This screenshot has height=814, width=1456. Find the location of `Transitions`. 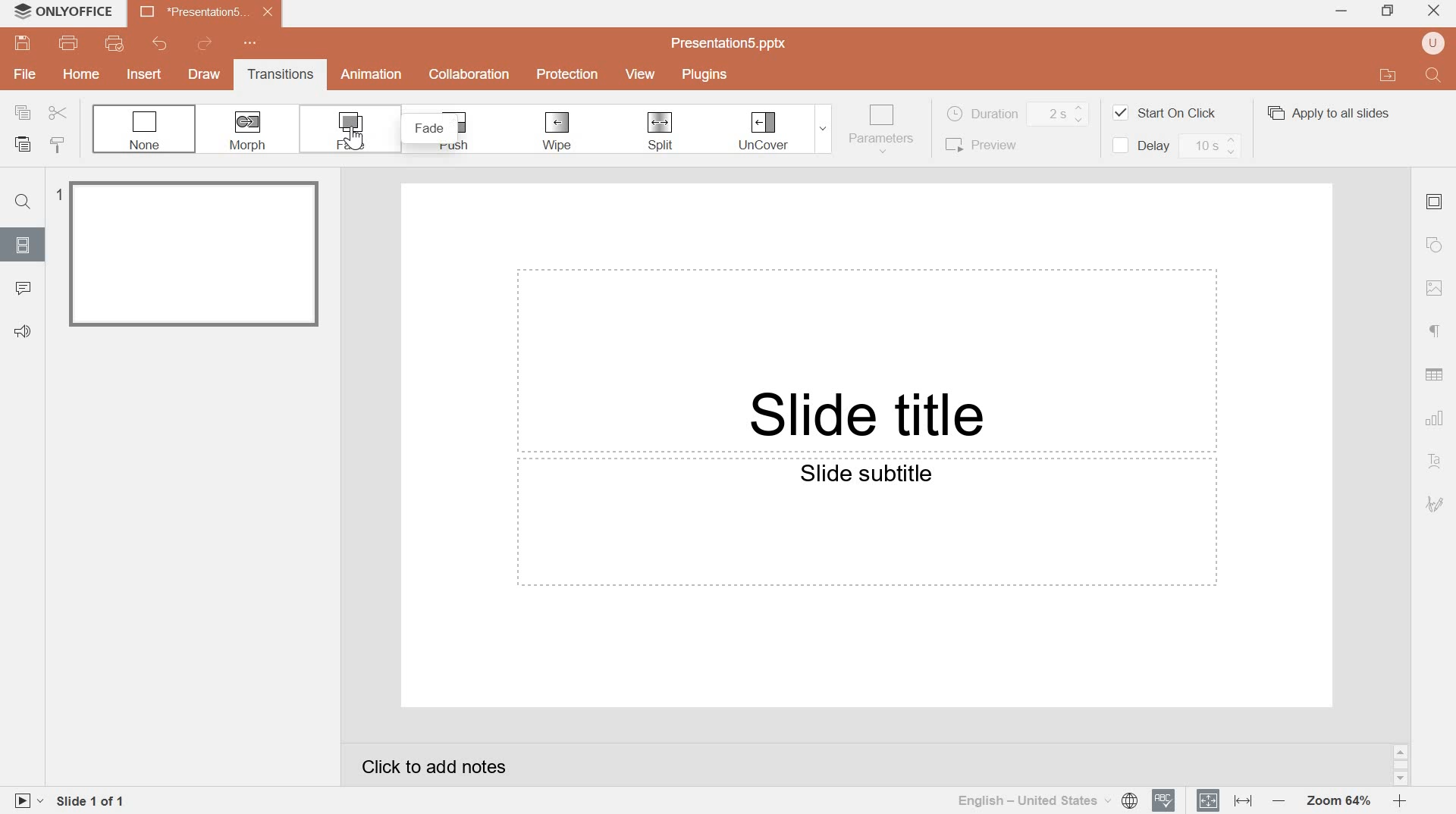

Transitions is located at coordinates (277, 74).